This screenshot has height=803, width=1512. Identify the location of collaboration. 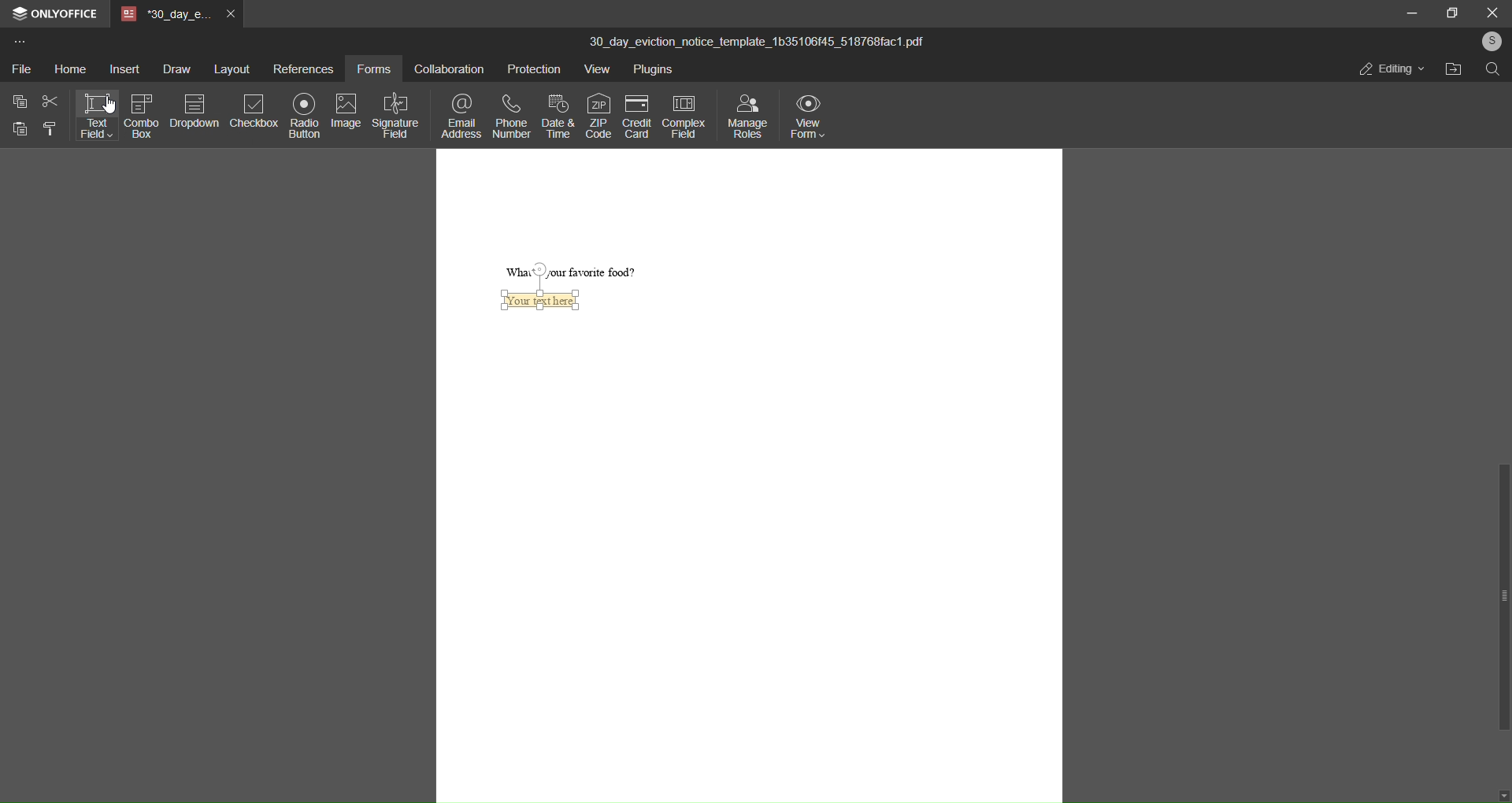
(445, 71).